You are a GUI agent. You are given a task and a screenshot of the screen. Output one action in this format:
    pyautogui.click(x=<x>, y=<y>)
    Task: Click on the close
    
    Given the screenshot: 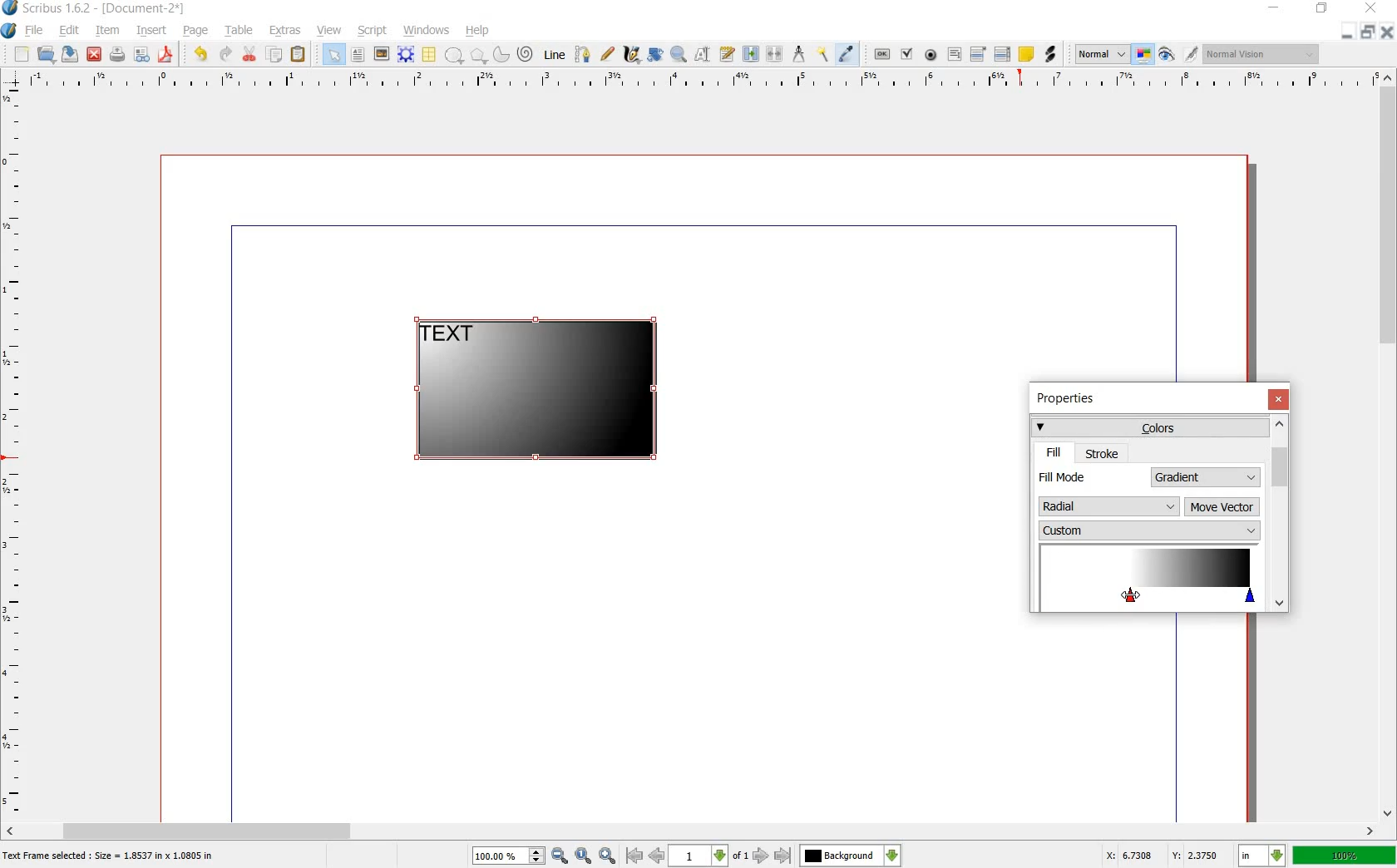 What is the action you would take?
    pyautogui.click(x=96, y=54)
    